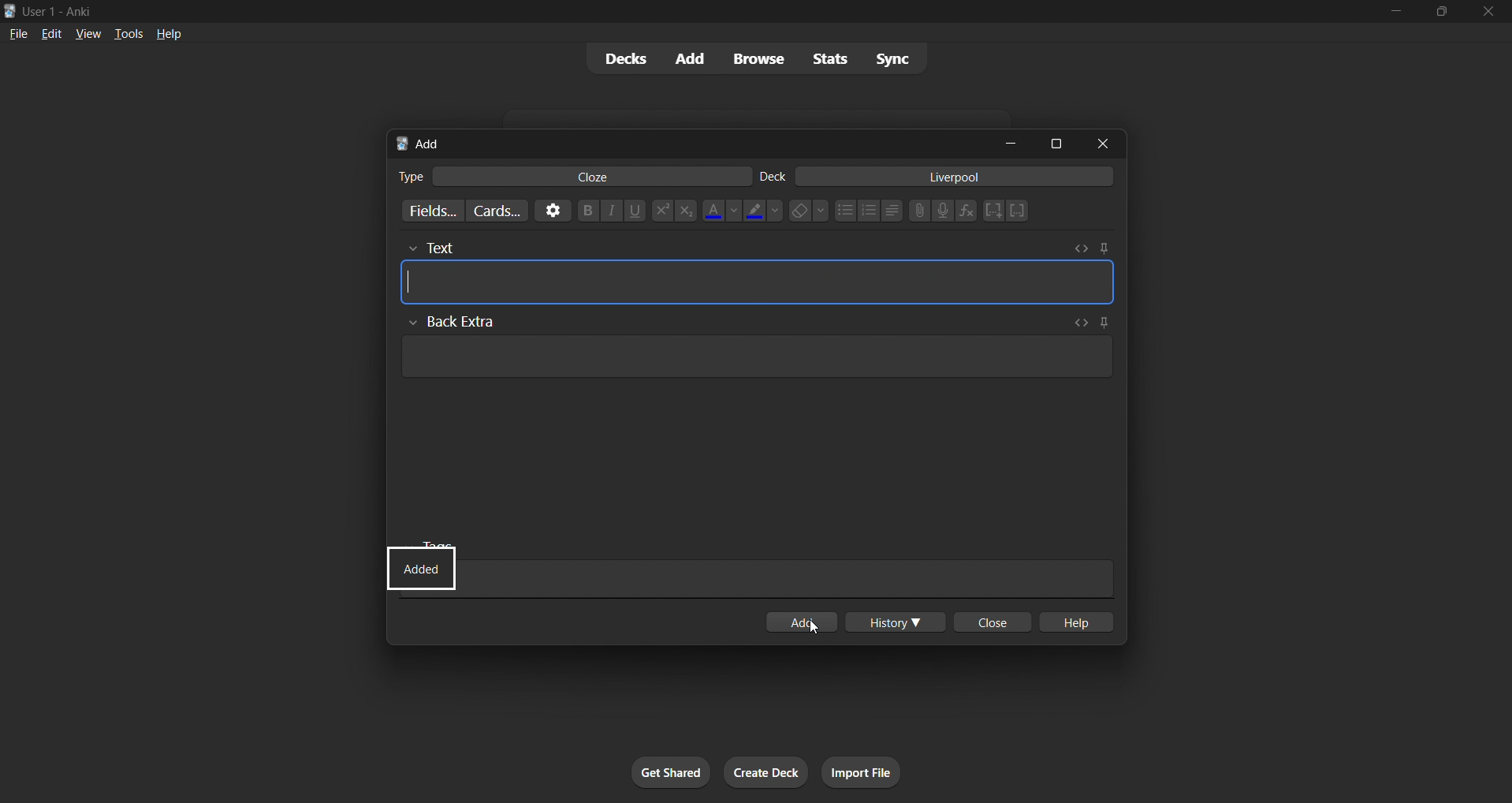 Image resolution: width=1512 pixels, height=803 pixels. What do you see at coordinates (47, 33) in the screenshot?
I see `edit` at bounding box center [47, 33].